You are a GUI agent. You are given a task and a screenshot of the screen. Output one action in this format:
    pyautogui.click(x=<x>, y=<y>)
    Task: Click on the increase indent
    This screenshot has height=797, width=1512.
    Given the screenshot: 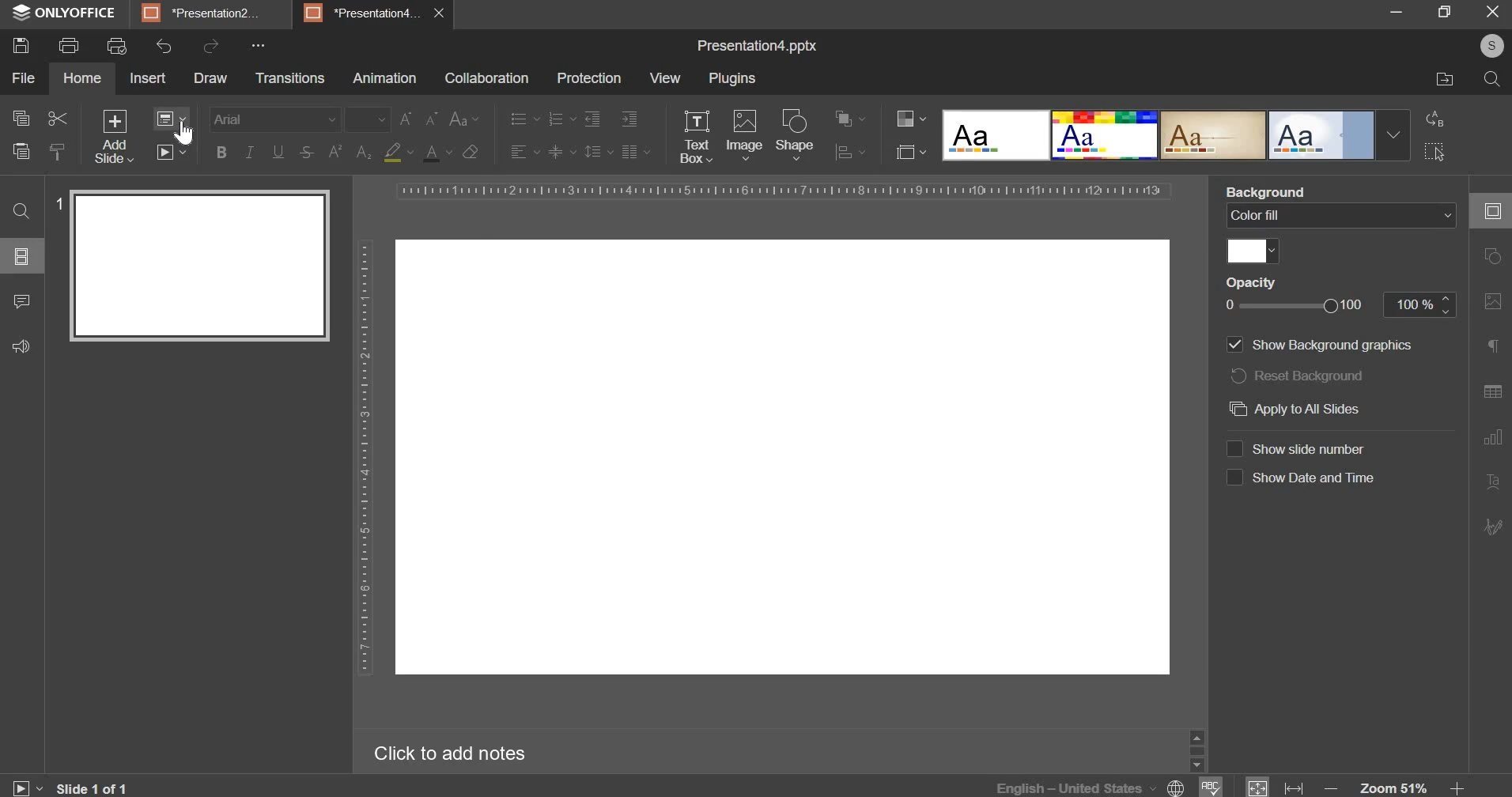 What is the action you would take?
    pyautogui.click(x=629, y=119)
    